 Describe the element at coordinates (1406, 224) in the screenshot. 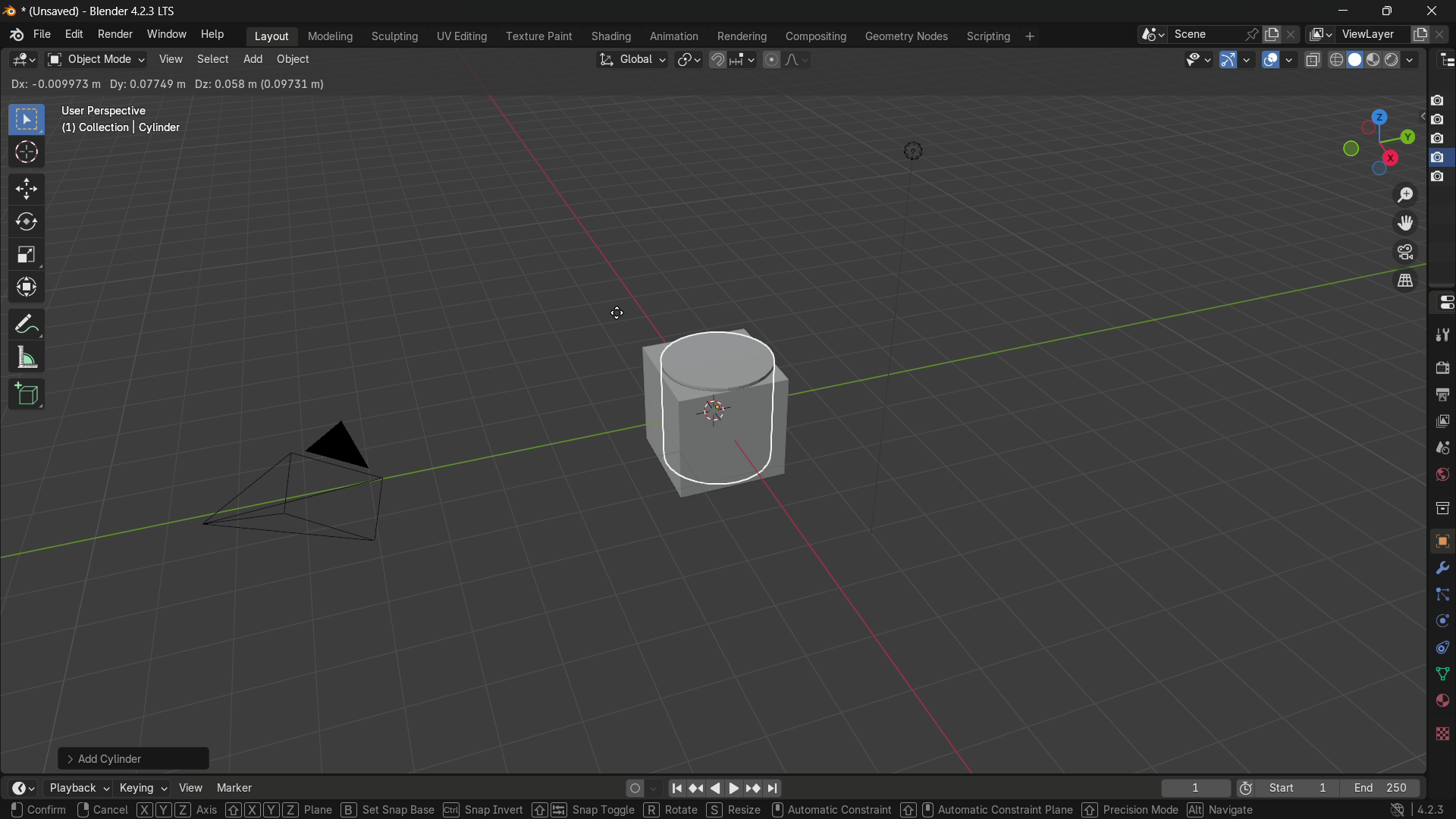

I see `move view layer` at that location.